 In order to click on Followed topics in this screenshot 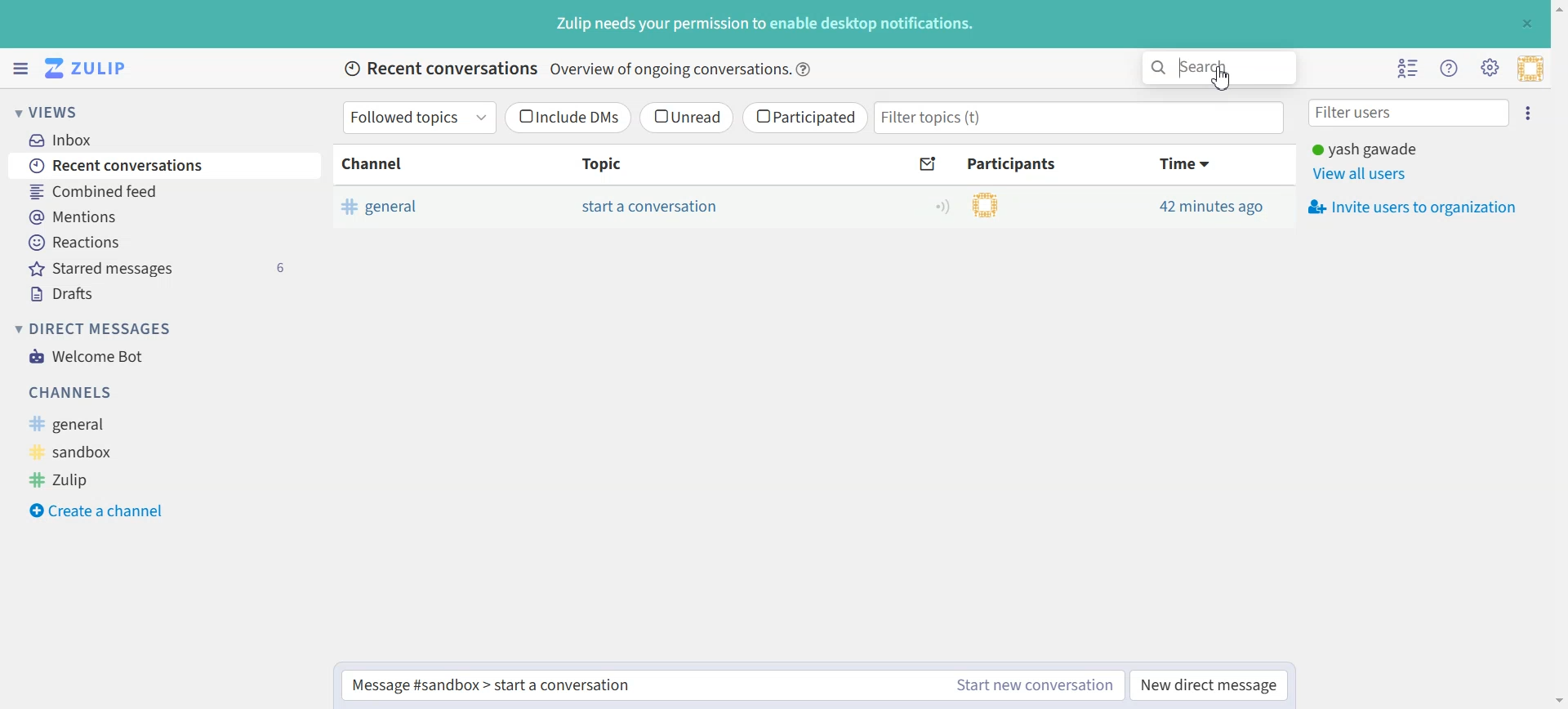, I will do `click(421, 118)`.